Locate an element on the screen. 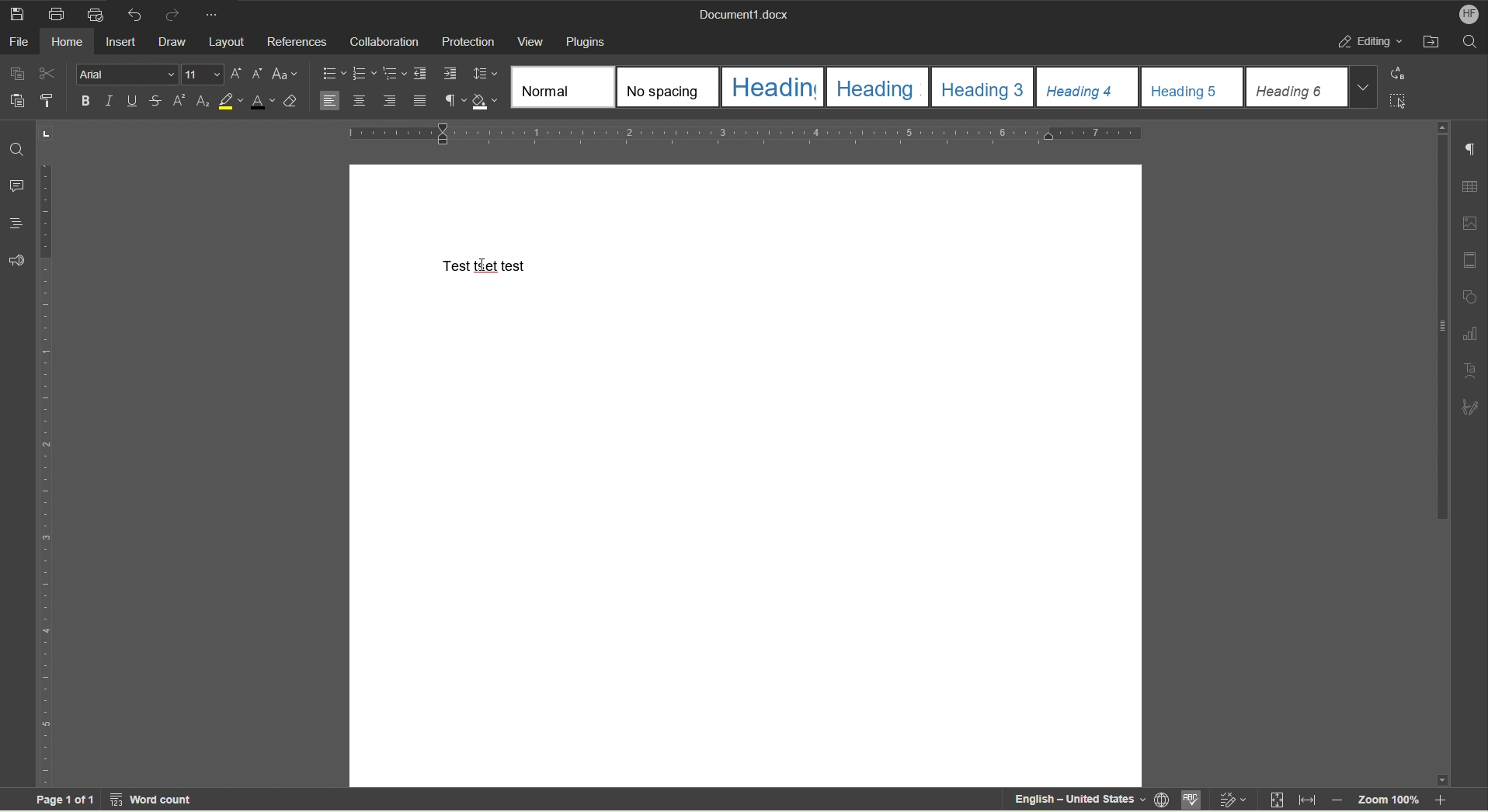  Non-Printing Characters is located at coordinates (1471, 151).